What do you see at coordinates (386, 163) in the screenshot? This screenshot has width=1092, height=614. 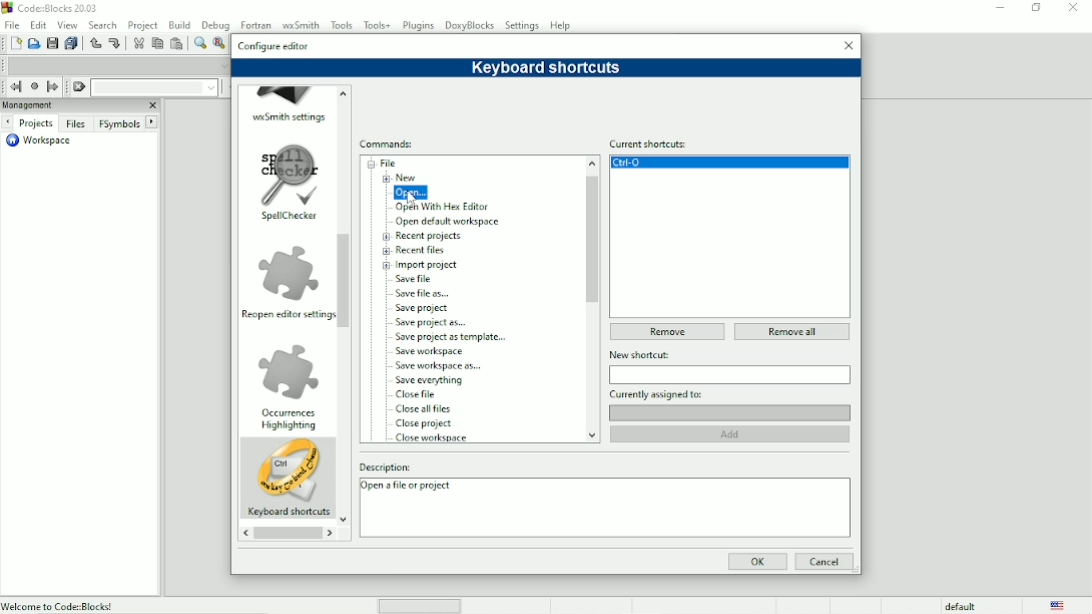 I see `File` at bounding box center [386, 163].